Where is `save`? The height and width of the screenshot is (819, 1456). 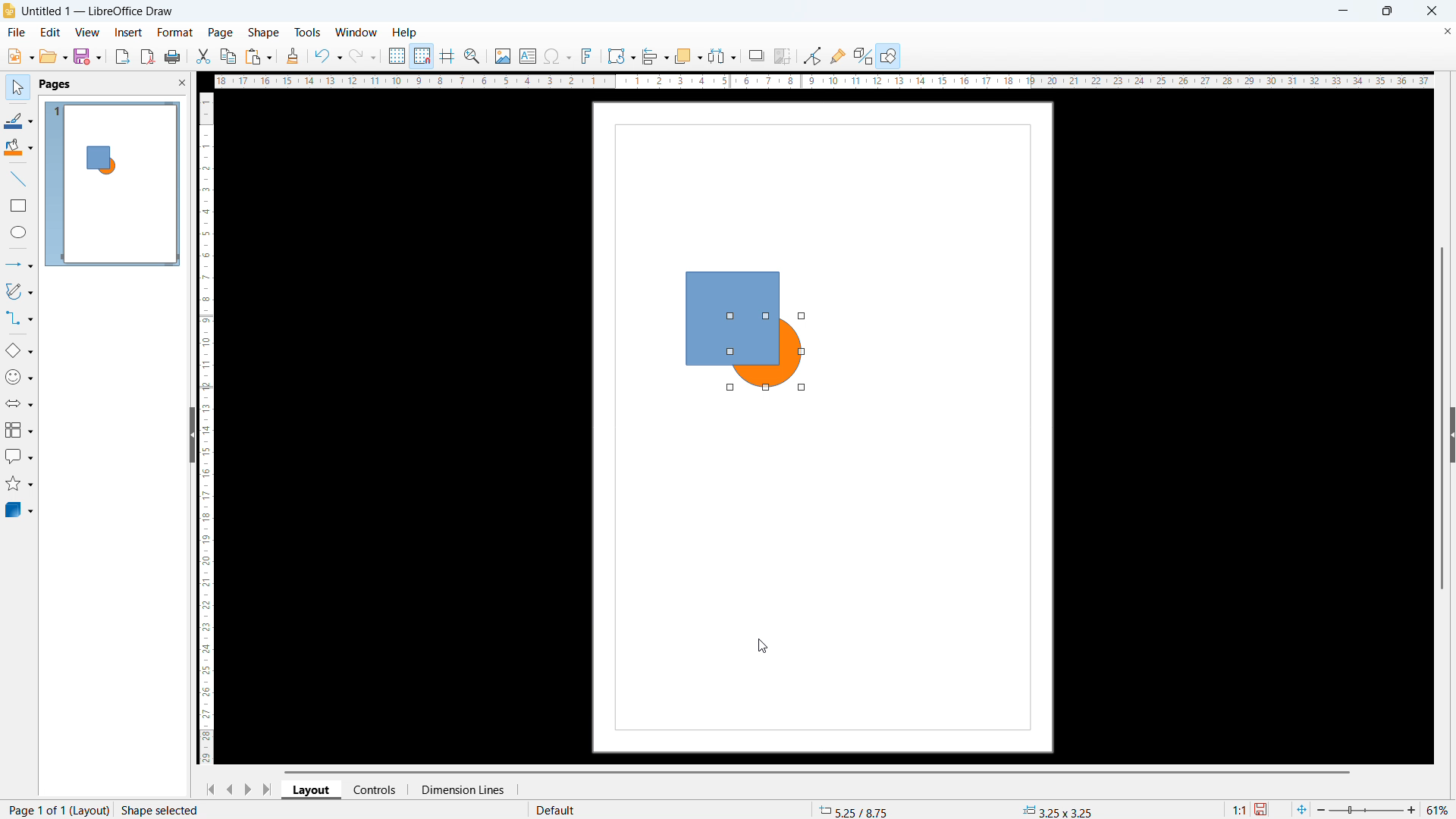
save is located at coordinates (88, 56).